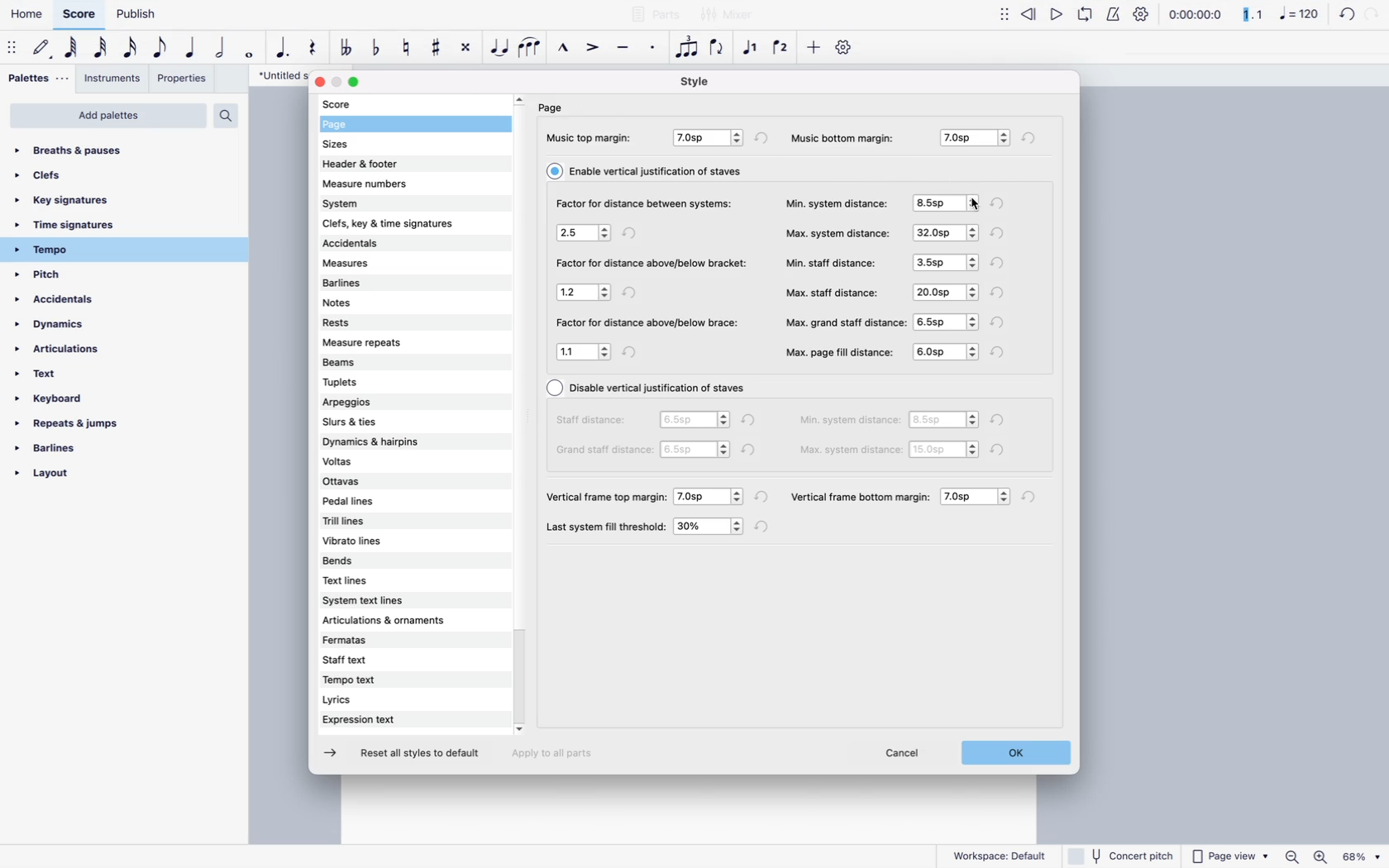 The height and width of the screenshot is (868, 1389). I want to click on toggle natural, so click(407, 50).